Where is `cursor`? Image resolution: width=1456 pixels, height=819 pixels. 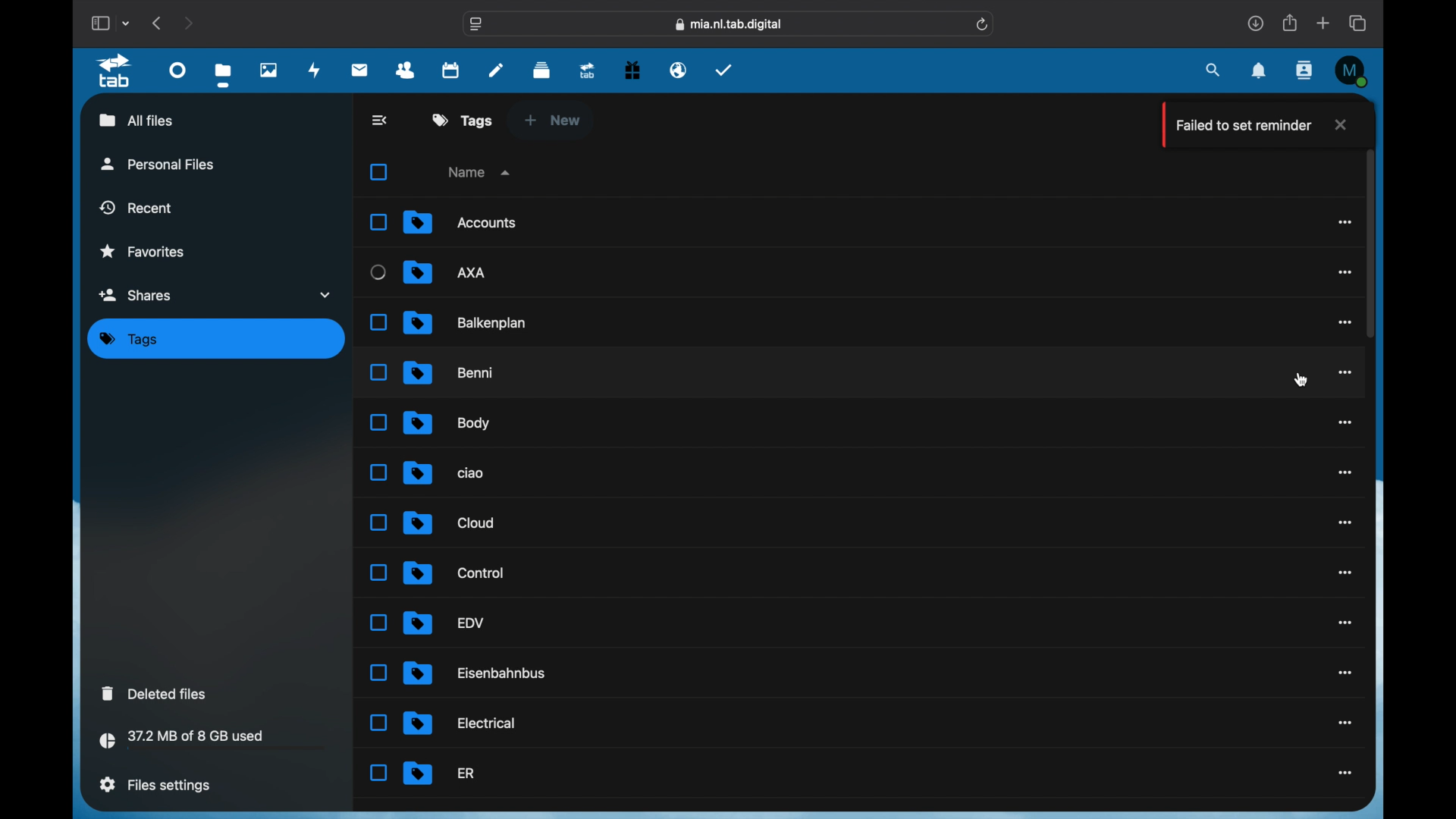
cursor is located at coordinates (1303, 379).